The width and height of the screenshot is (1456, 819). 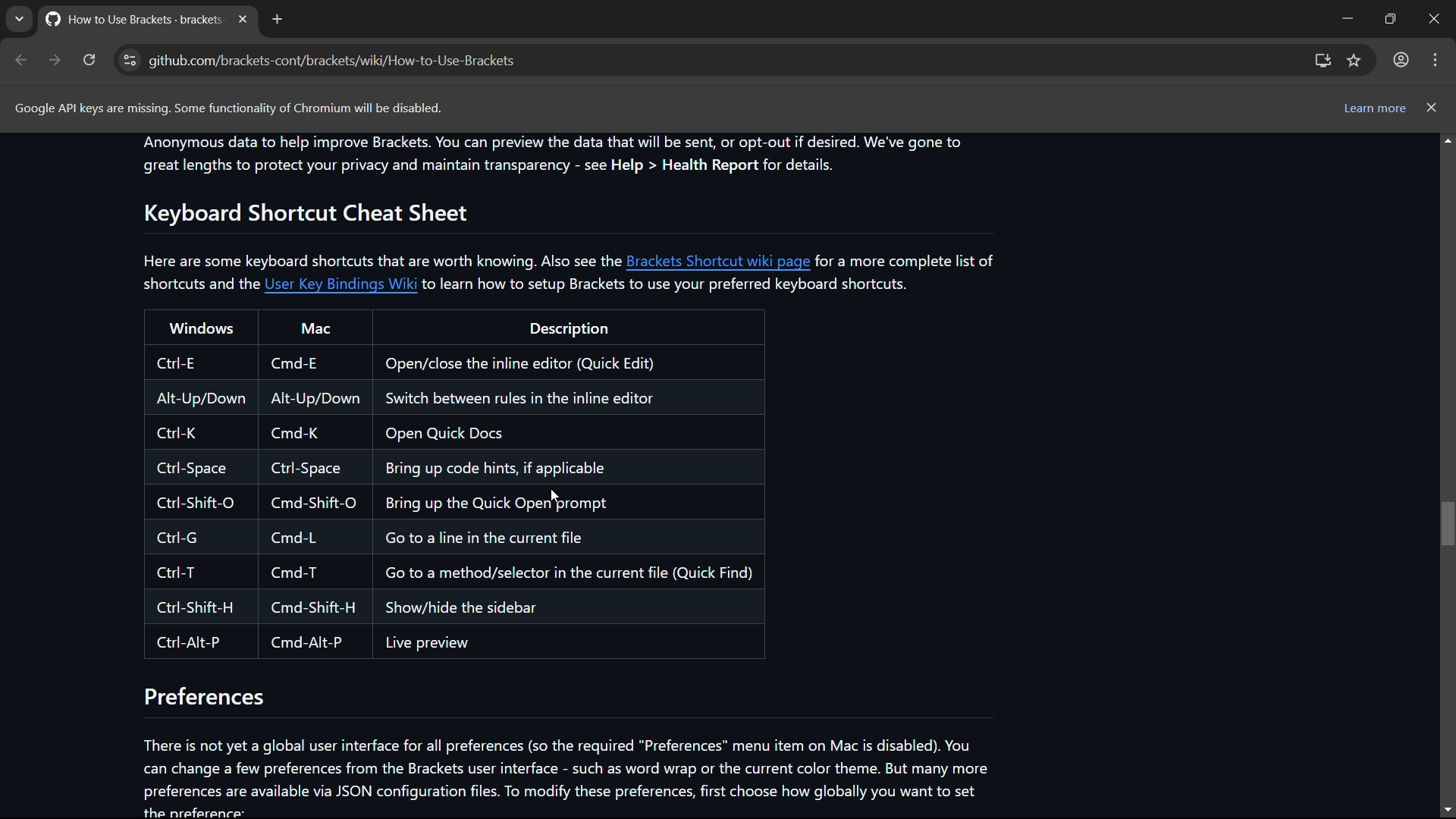 What do you see at coordinates (198, 502) in the screenshot?
I see `keyboard shortcuts in windows` at bounding box center [198, 502].